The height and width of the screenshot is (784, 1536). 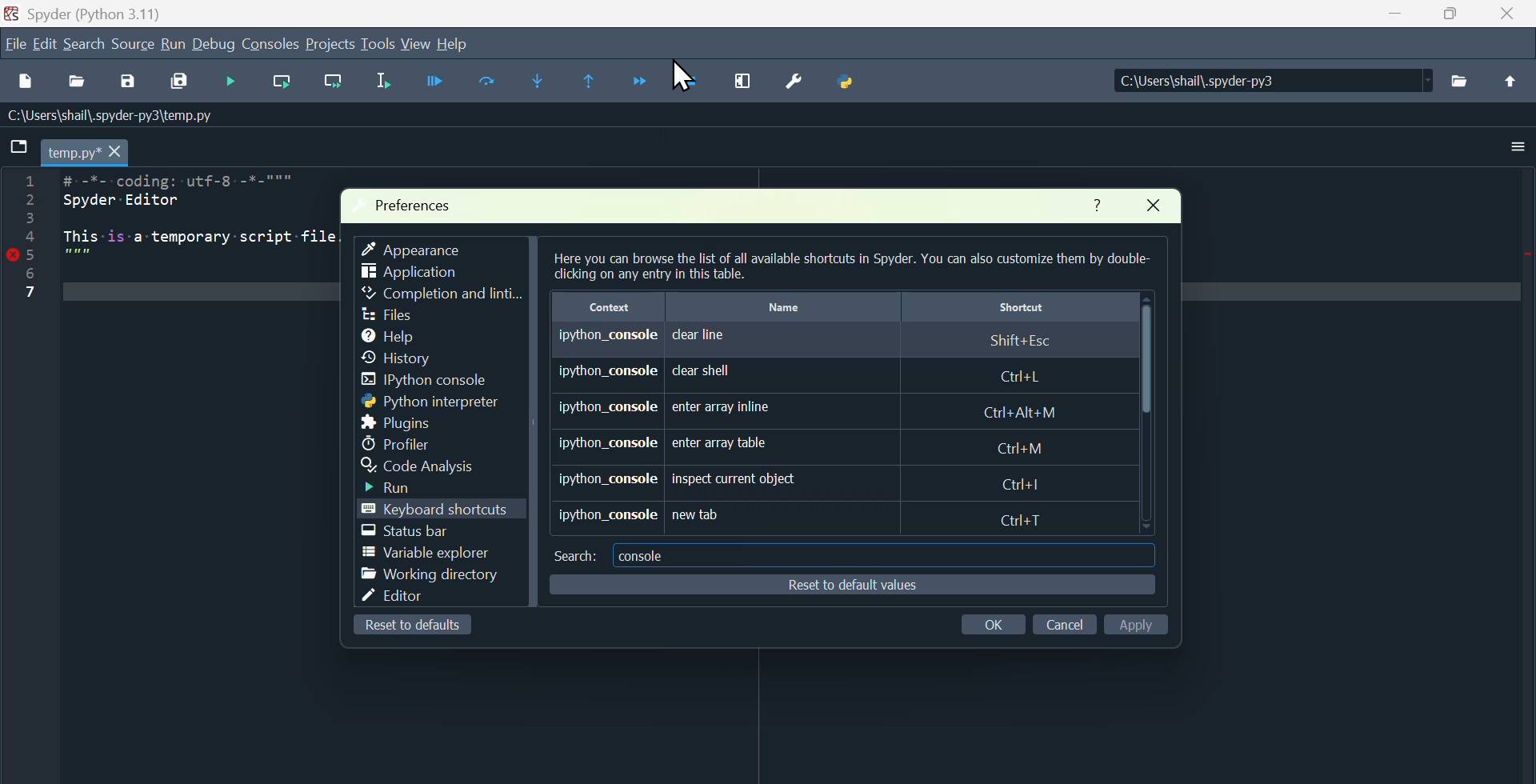 I want to click on Source, so click(x=134, y=48).